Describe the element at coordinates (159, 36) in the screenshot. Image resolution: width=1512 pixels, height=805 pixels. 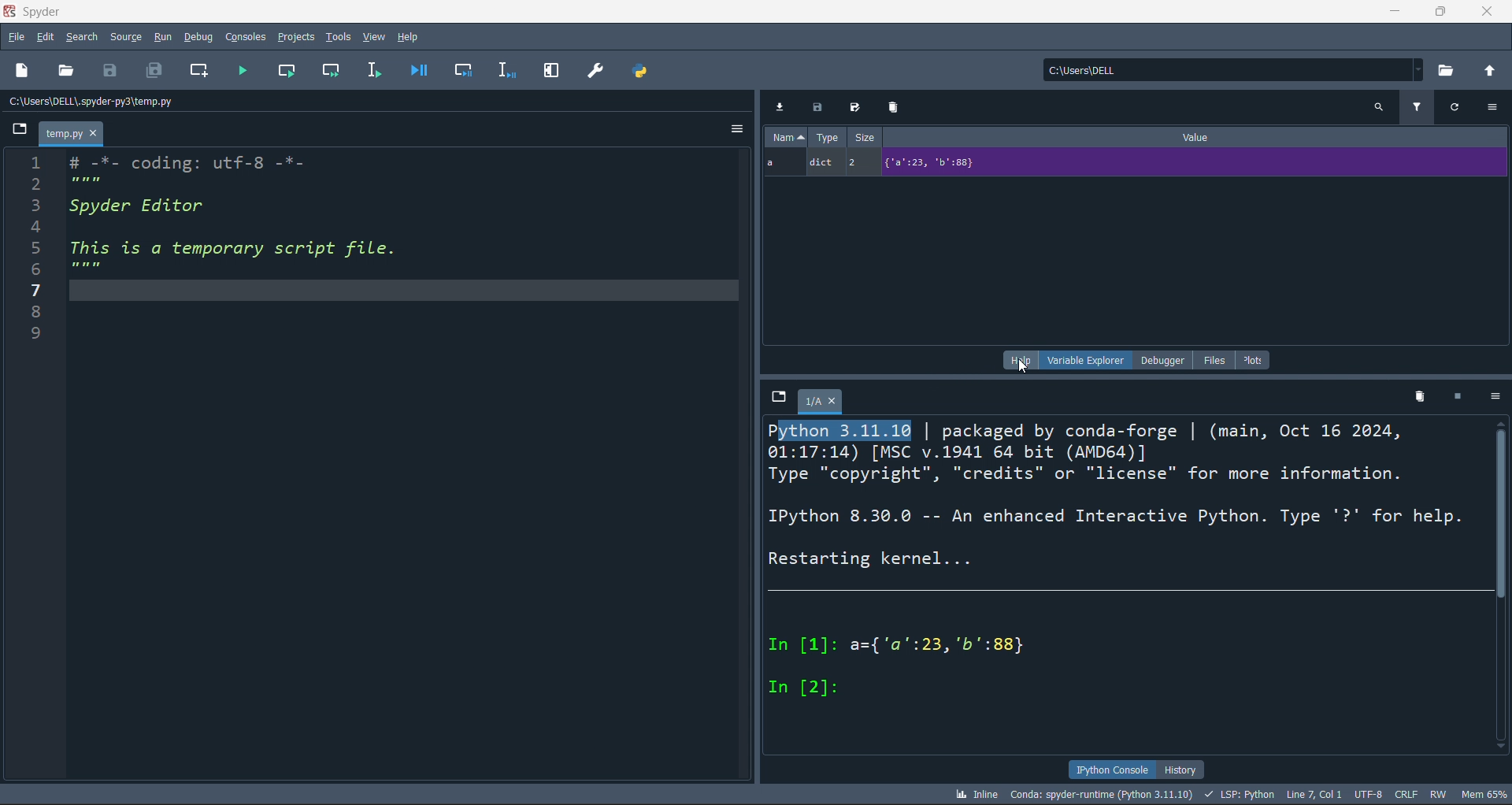
I see `run` at that location.